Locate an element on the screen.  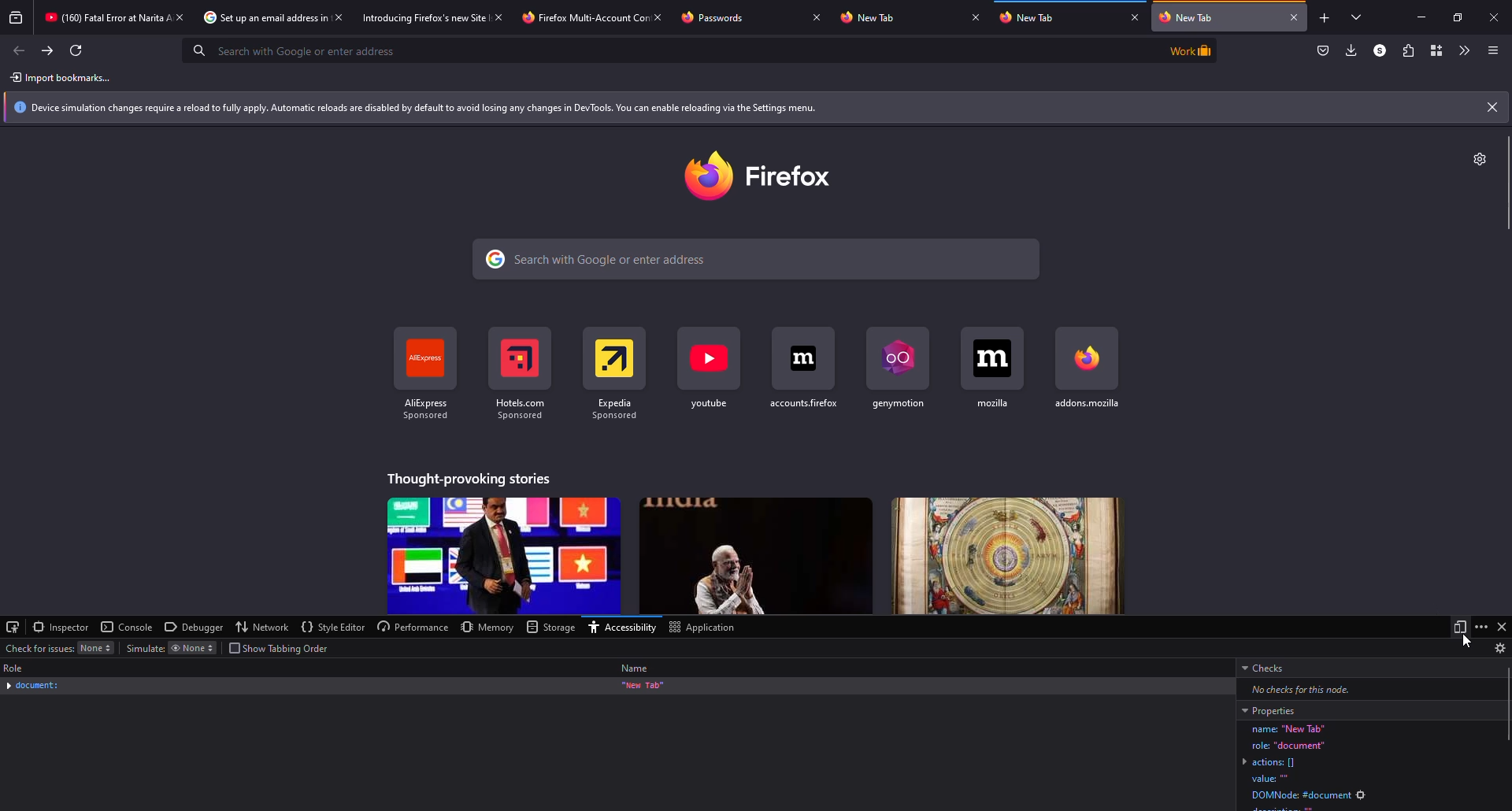
tab is located at coordinates (257, 18).